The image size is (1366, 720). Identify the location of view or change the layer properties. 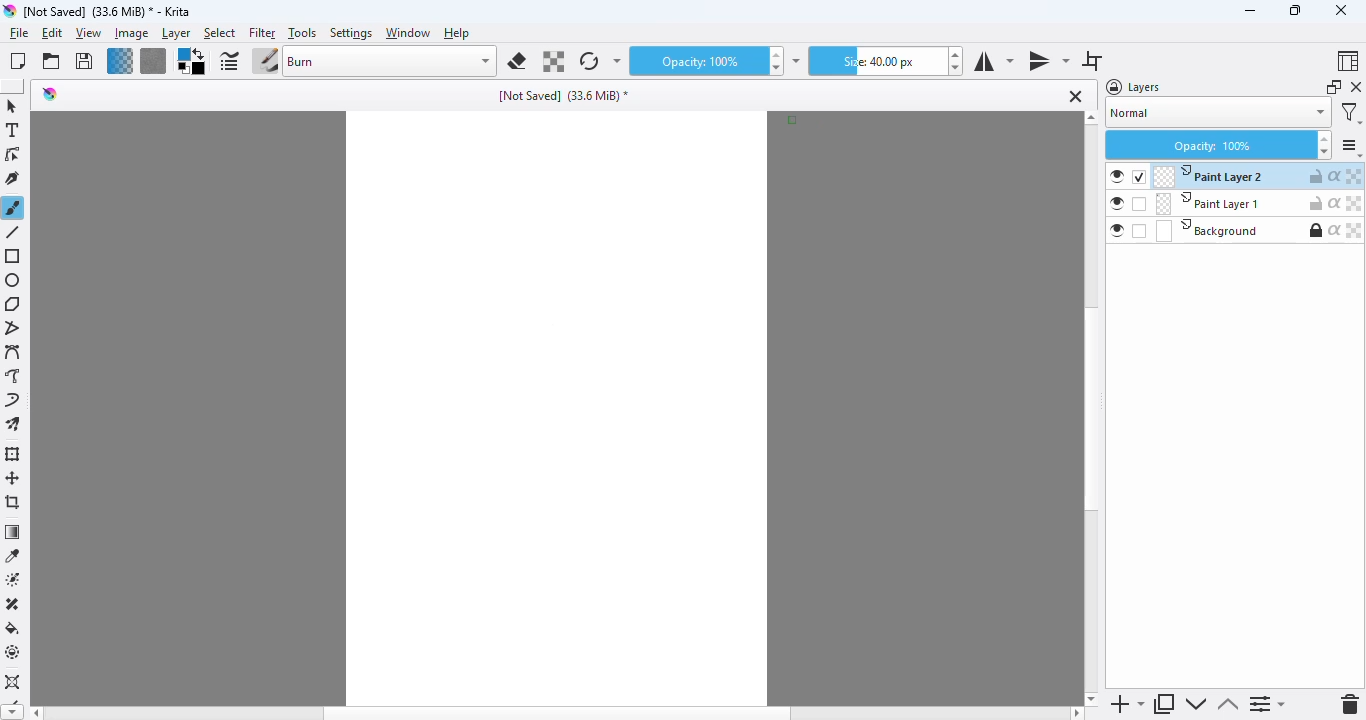
(1268, 705).